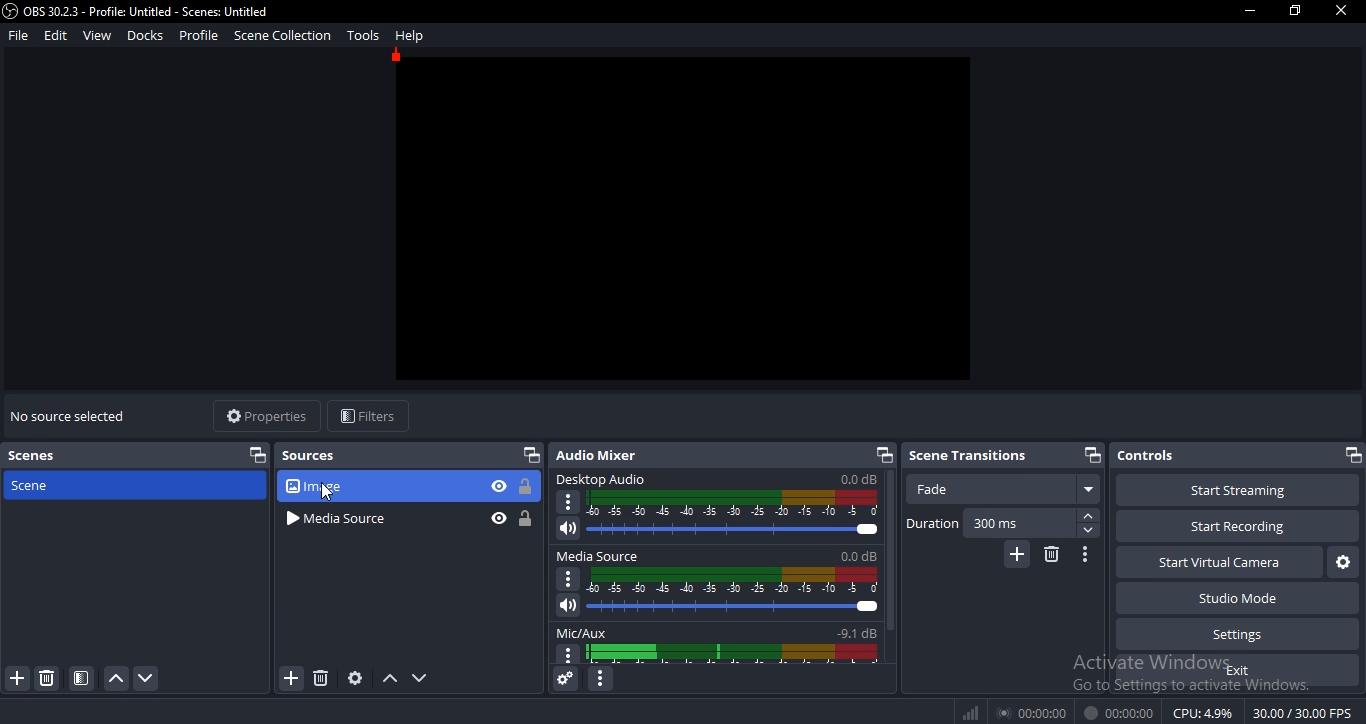 Image resolution: width=1366 pixels, height=724 pixels. What do you see at coordinates (46, 678) in the screenshot?
I see `remove scene` at bounding box center [46, 678].